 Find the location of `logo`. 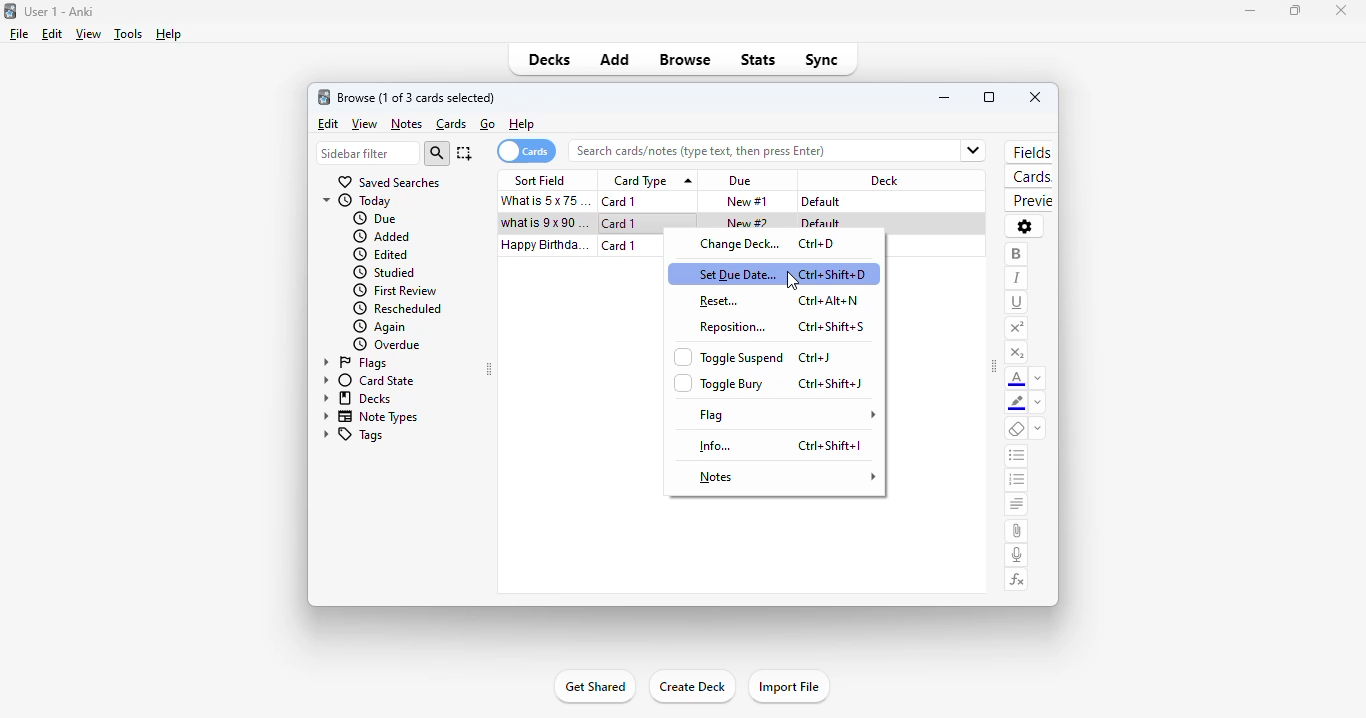

logo is located at coordinates (9, 11).